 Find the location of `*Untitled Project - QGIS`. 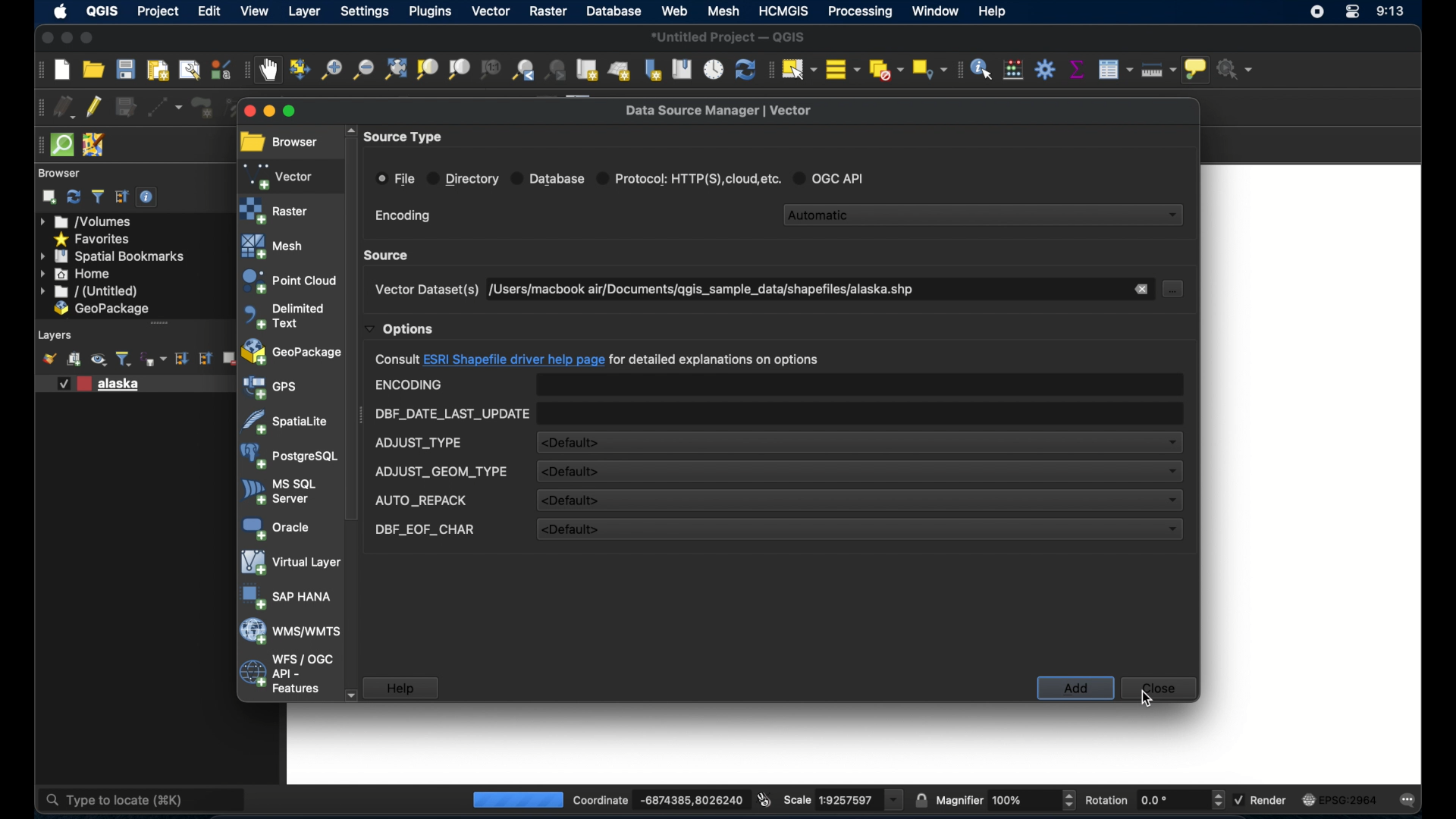

*Untitled Project - QGIS is located at coordinates (730, 36).